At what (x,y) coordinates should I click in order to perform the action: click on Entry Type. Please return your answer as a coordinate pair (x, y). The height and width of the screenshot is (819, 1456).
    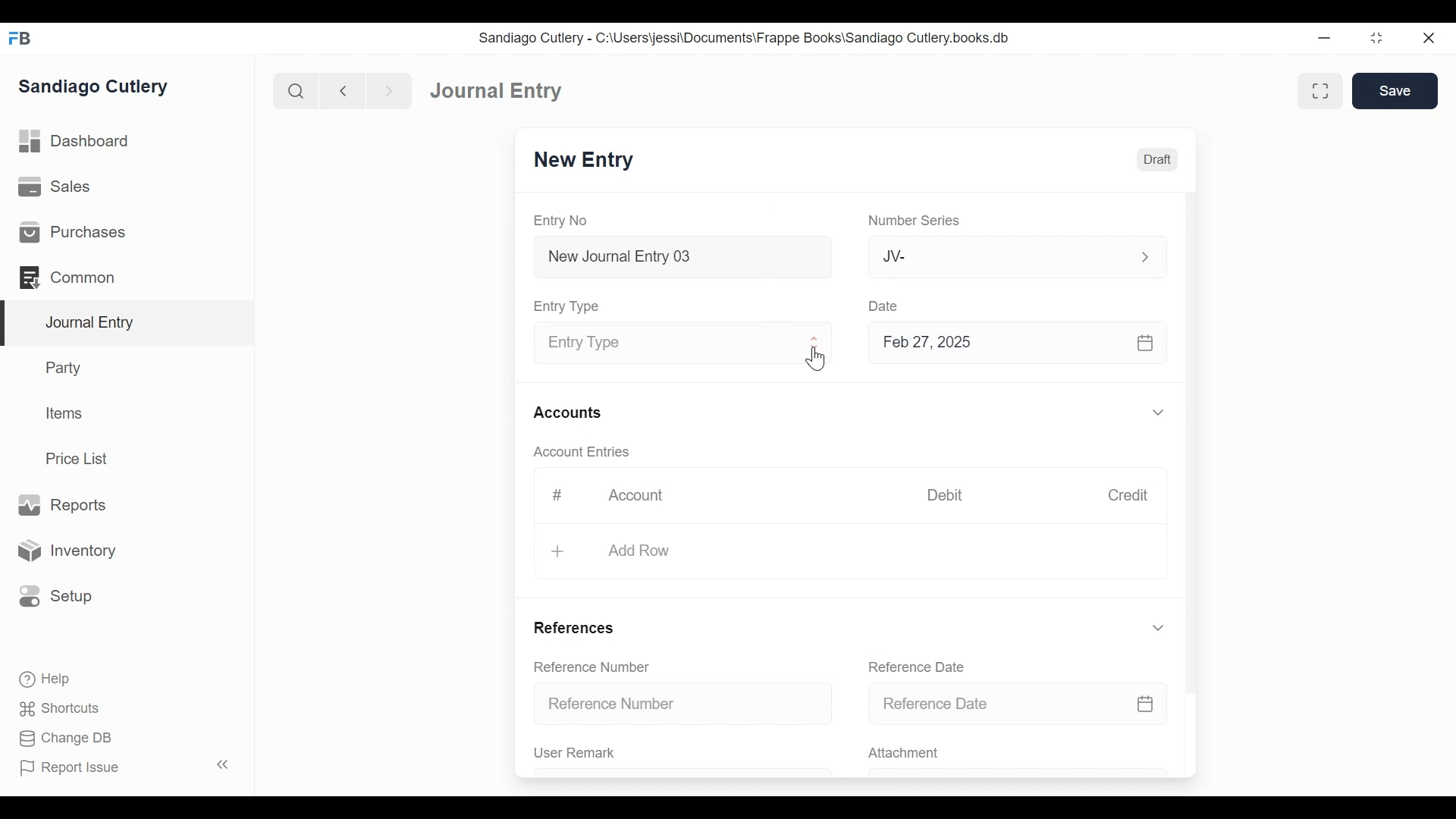
    Looking at the image, I should click on (570, 307).